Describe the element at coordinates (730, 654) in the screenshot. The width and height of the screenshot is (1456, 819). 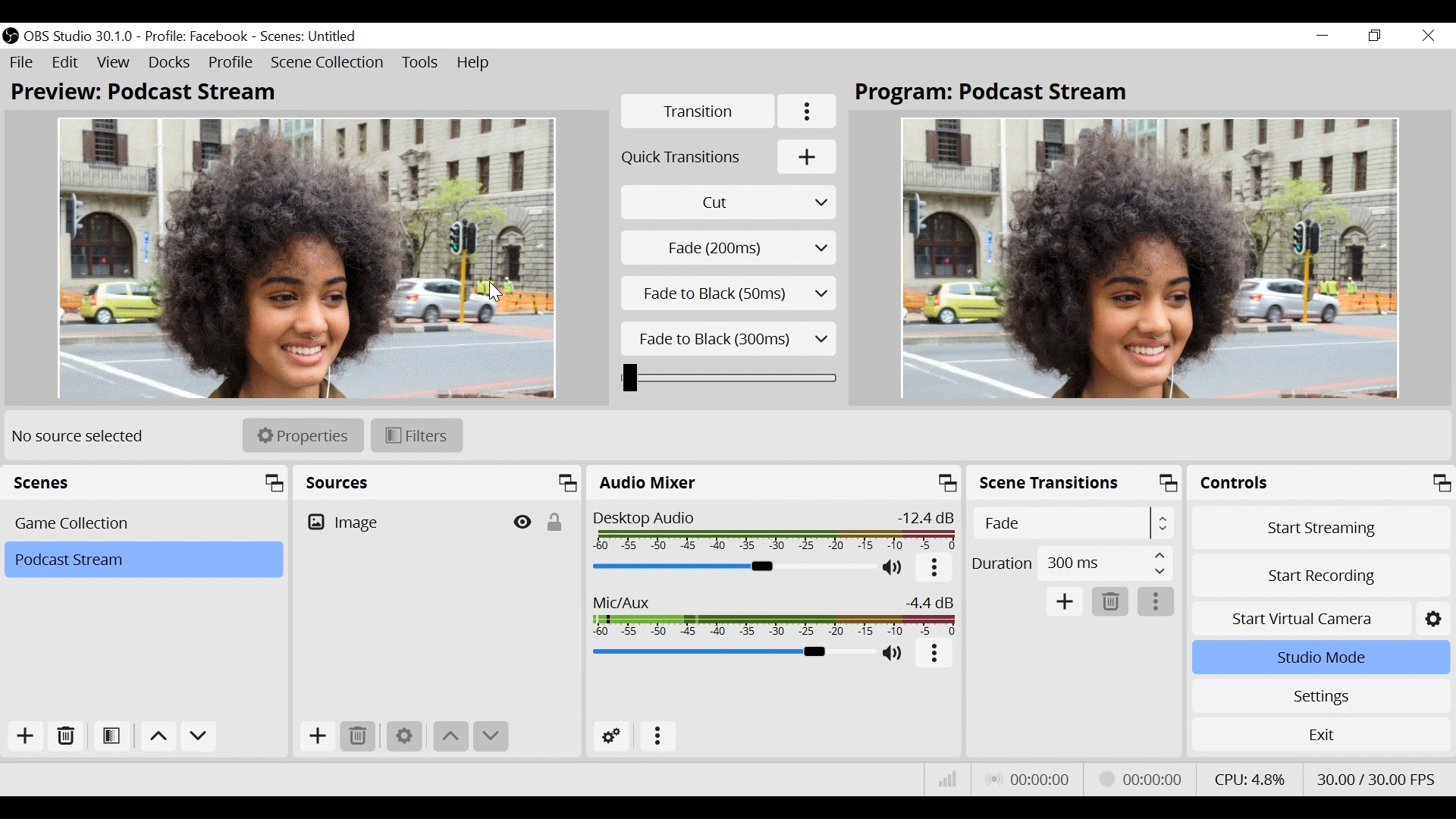
I see `Mic Slider` at that location.